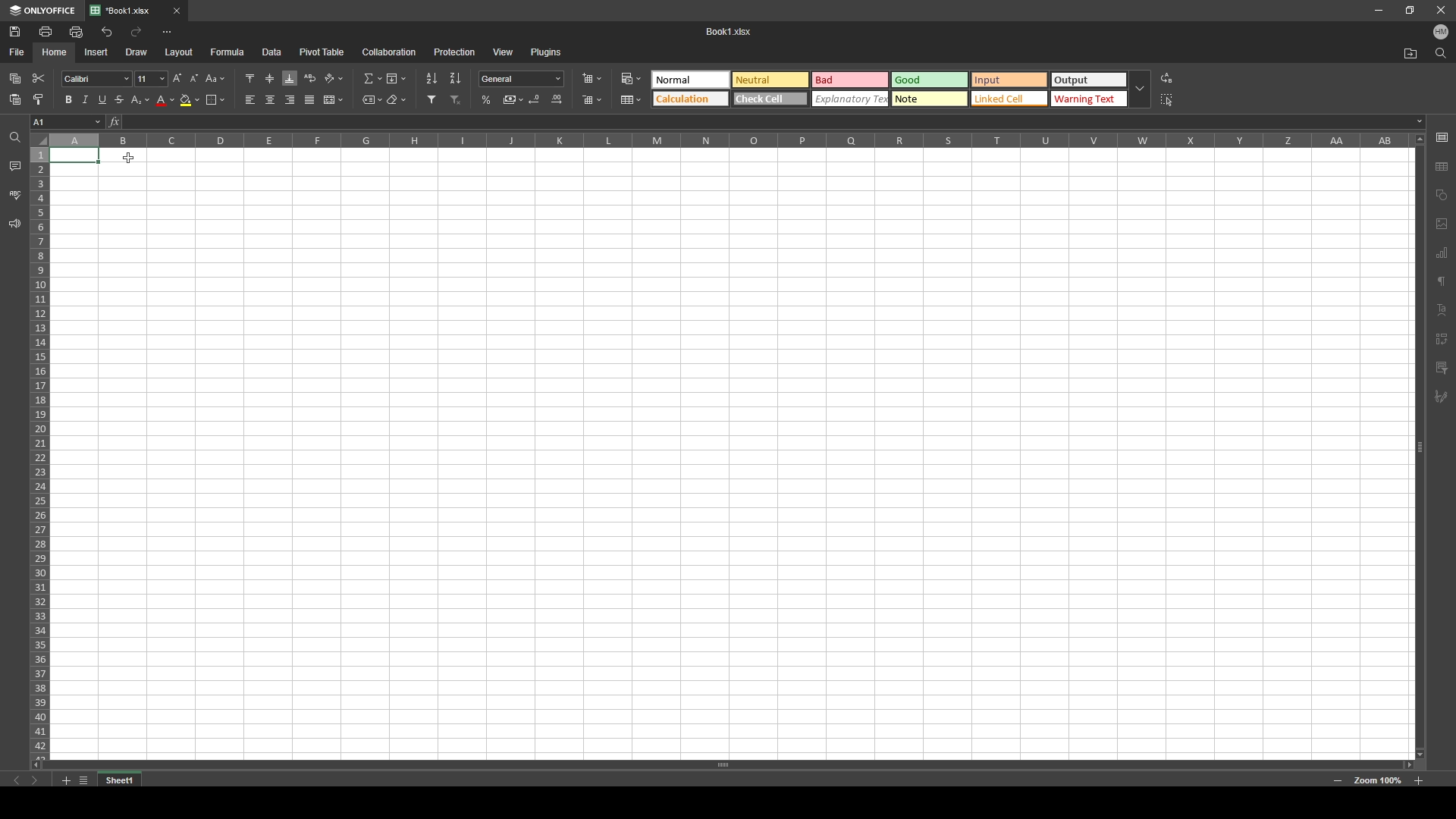 This screenshot has height=819, width=1456. I want to click on underline, so click(102, 100).